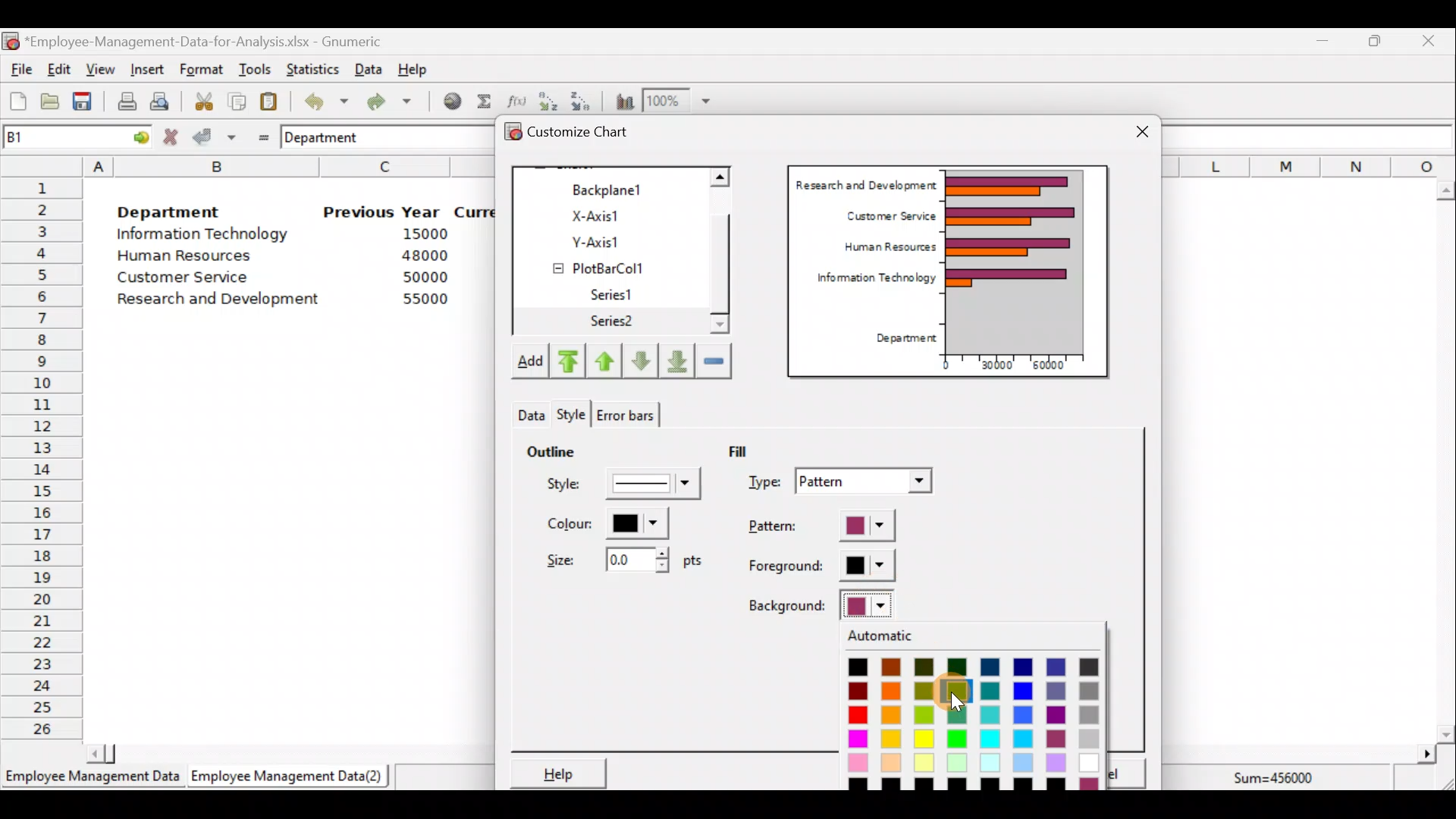  What do you see at coordinates (604, 359) in the screenshot?
I see `Move up` at bounding box center [604, 359].